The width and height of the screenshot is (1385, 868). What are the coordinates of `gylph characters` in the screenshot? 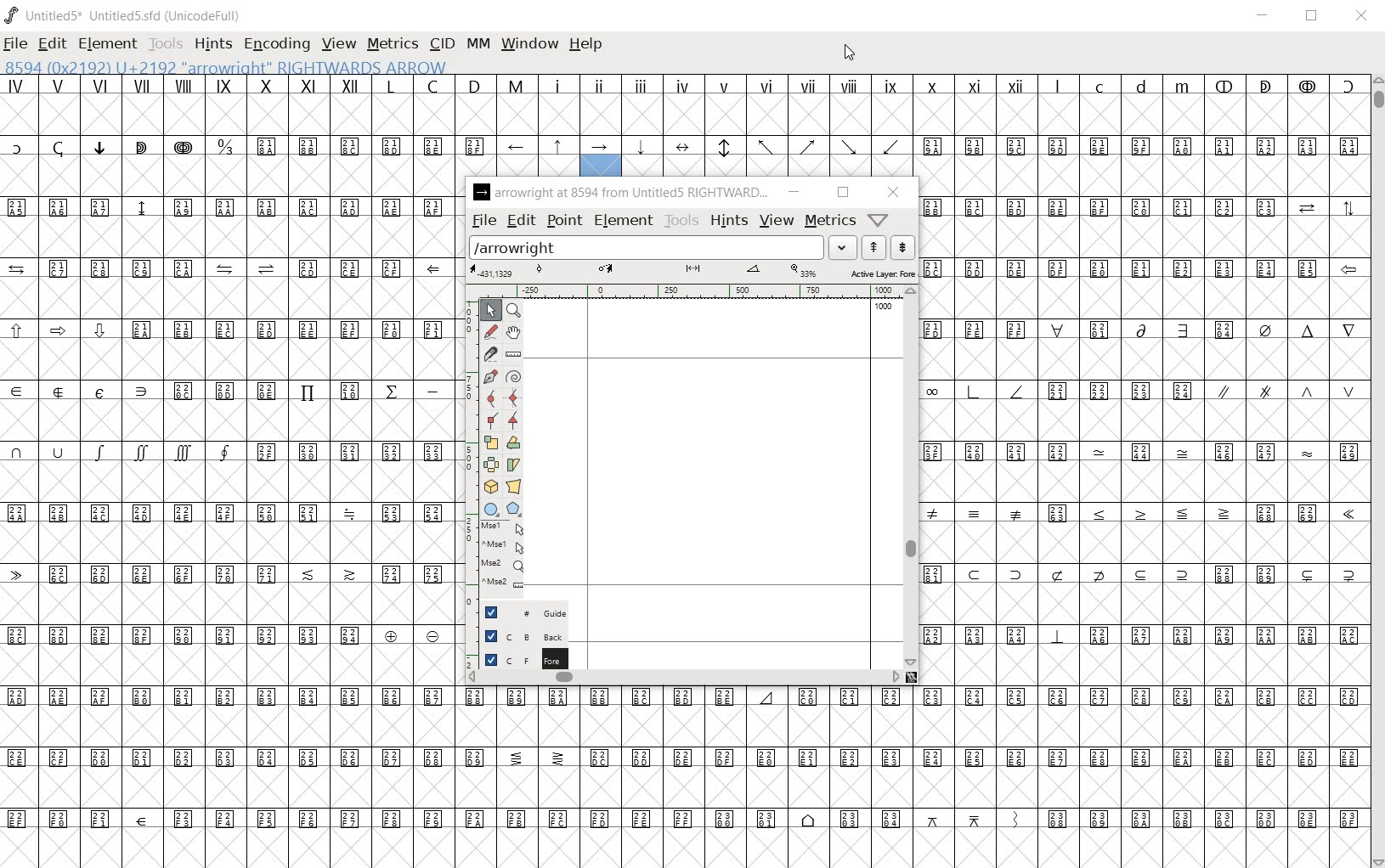 It's located at (517, 157).